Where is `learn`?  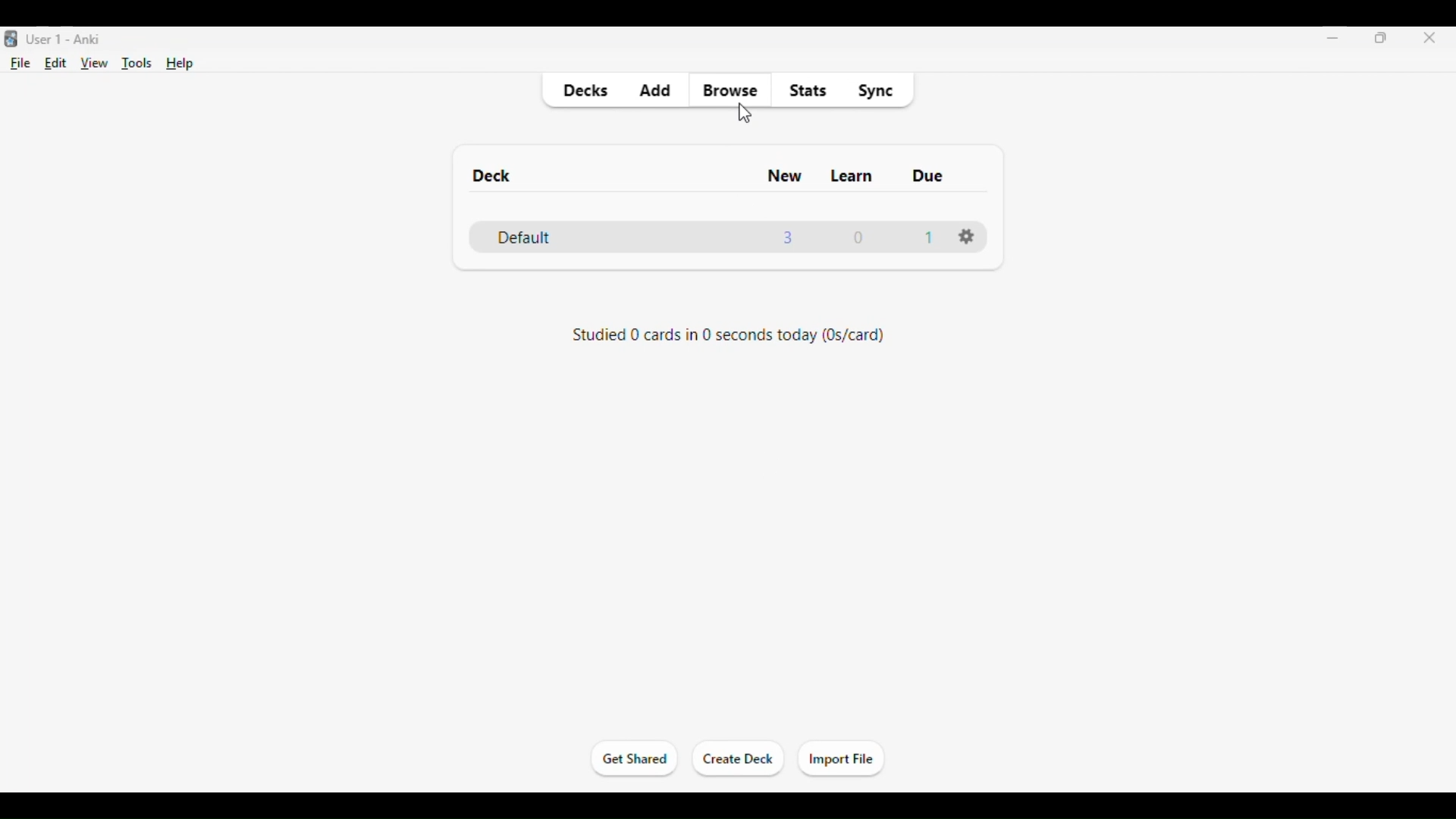
learn is located at coordinates (852, 176).